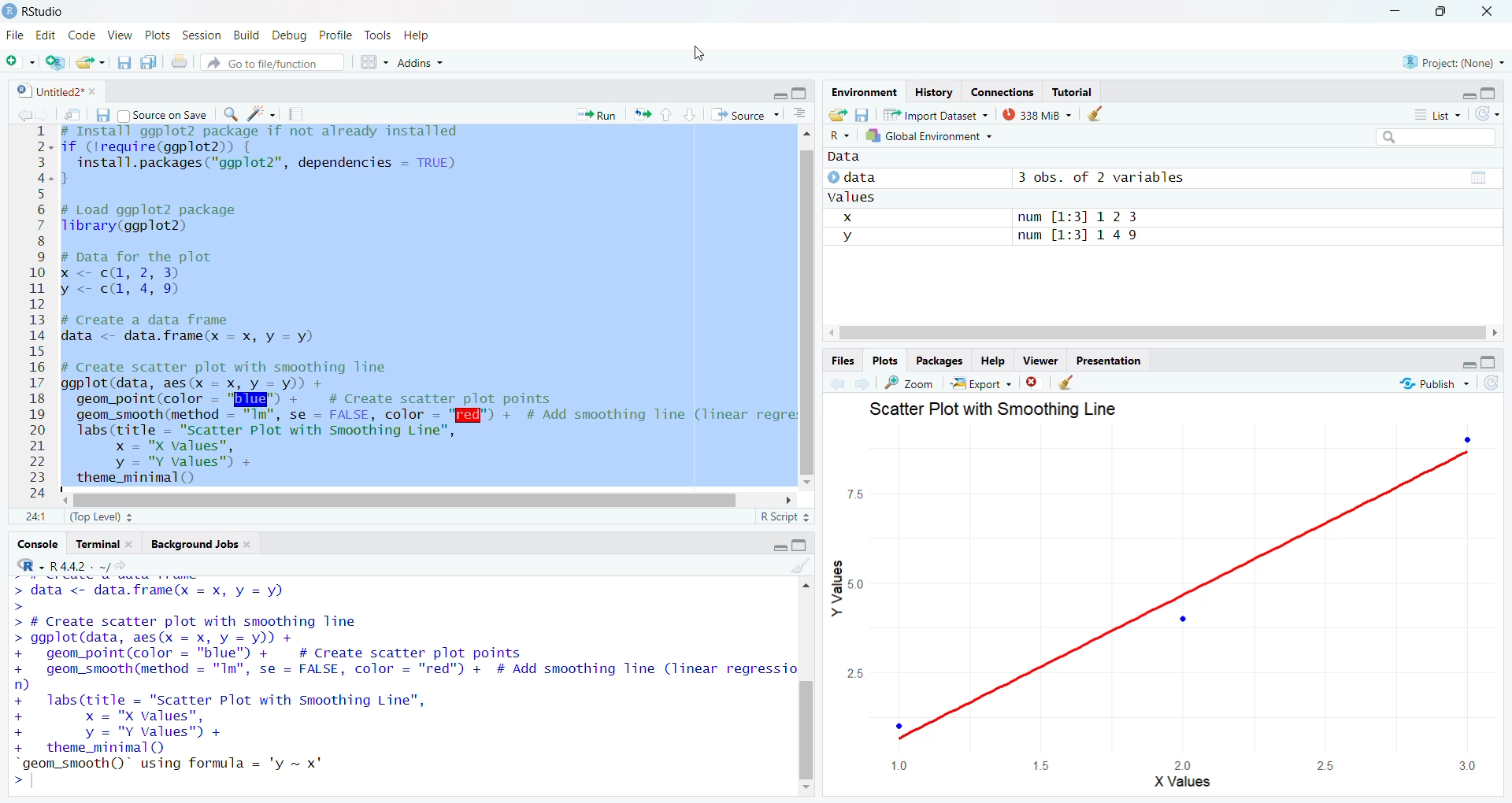  What do you see at coordinates (856, 160) in the screenshot?
I see `data` at bounding box center [856, 160].